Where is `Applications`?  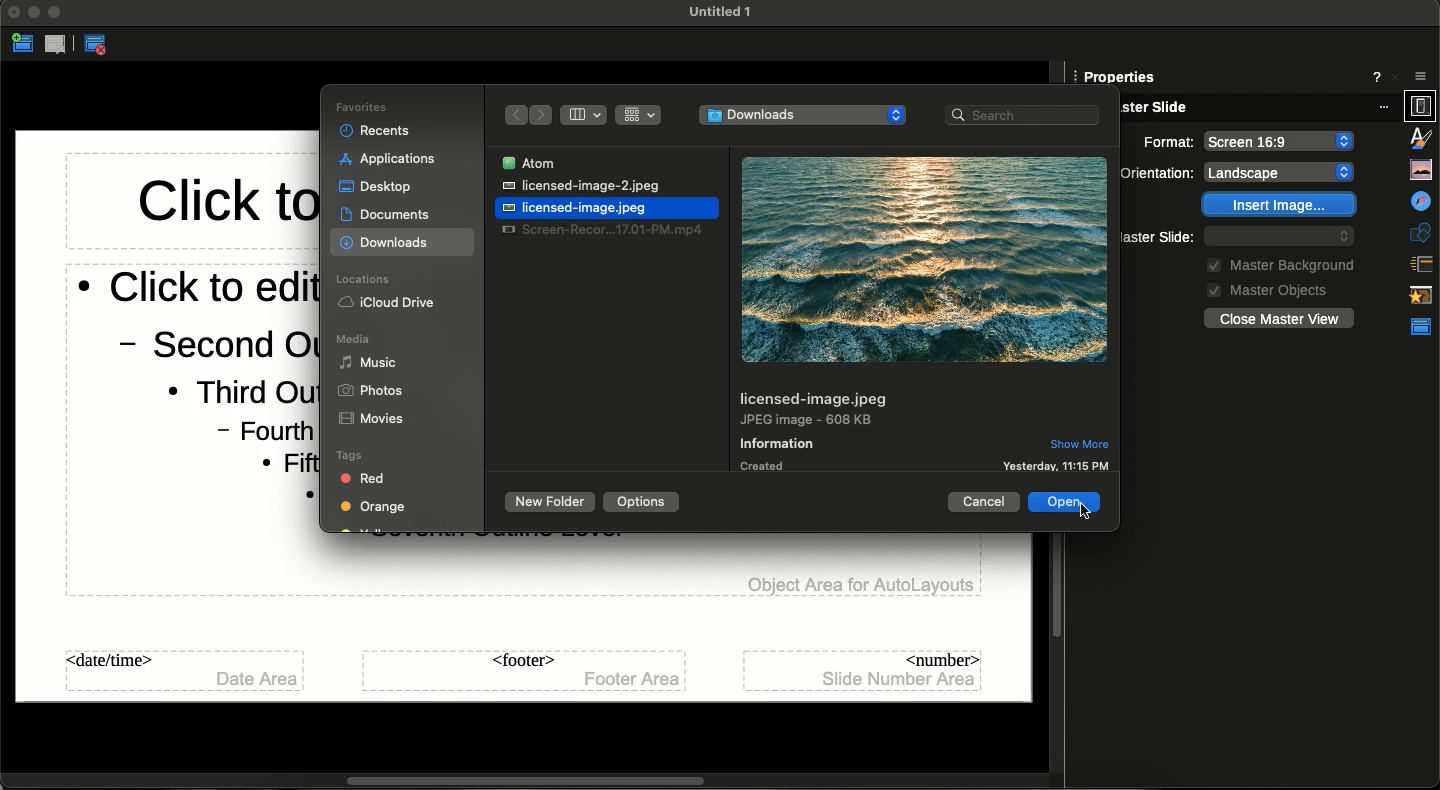
Applications is located at coordinates (385, 159).